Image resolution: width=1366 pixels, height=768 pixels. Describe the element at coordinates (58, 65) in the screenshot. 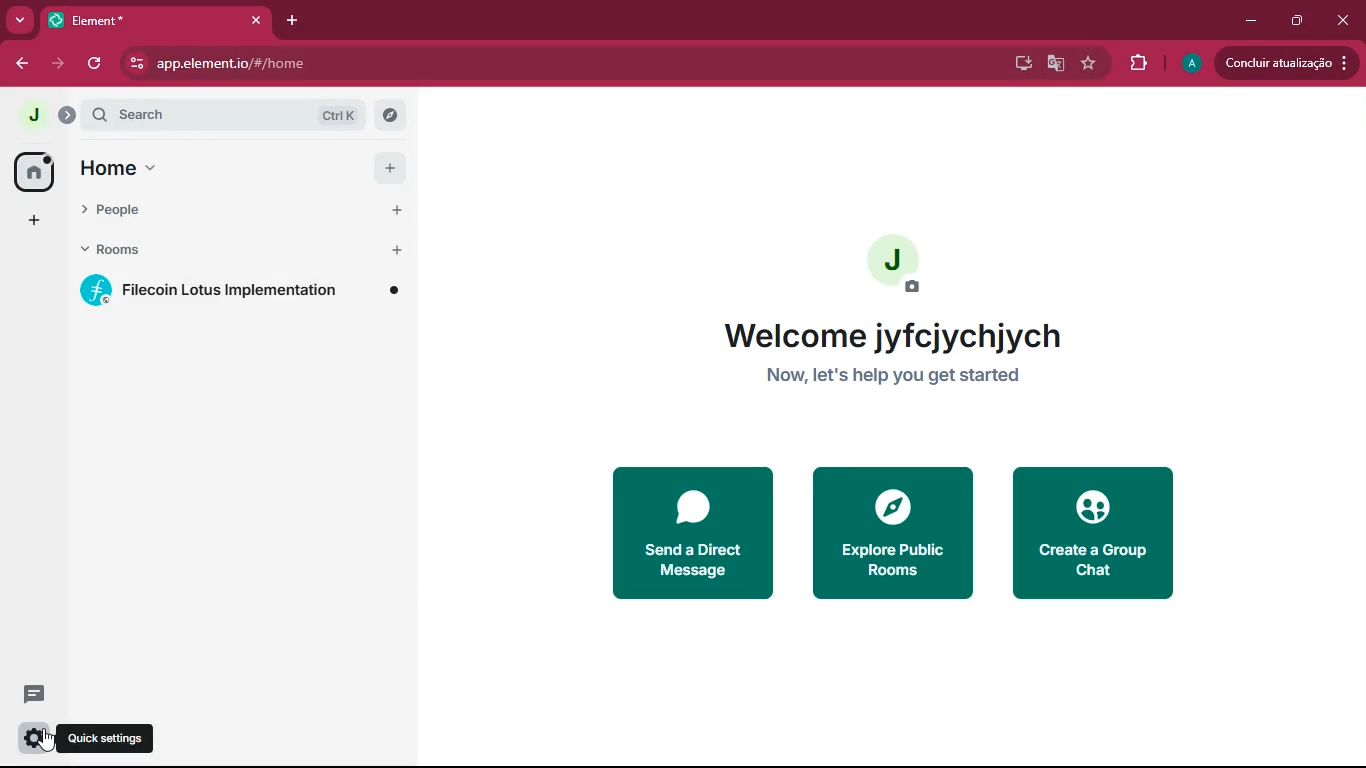

I see `forward` at that location.